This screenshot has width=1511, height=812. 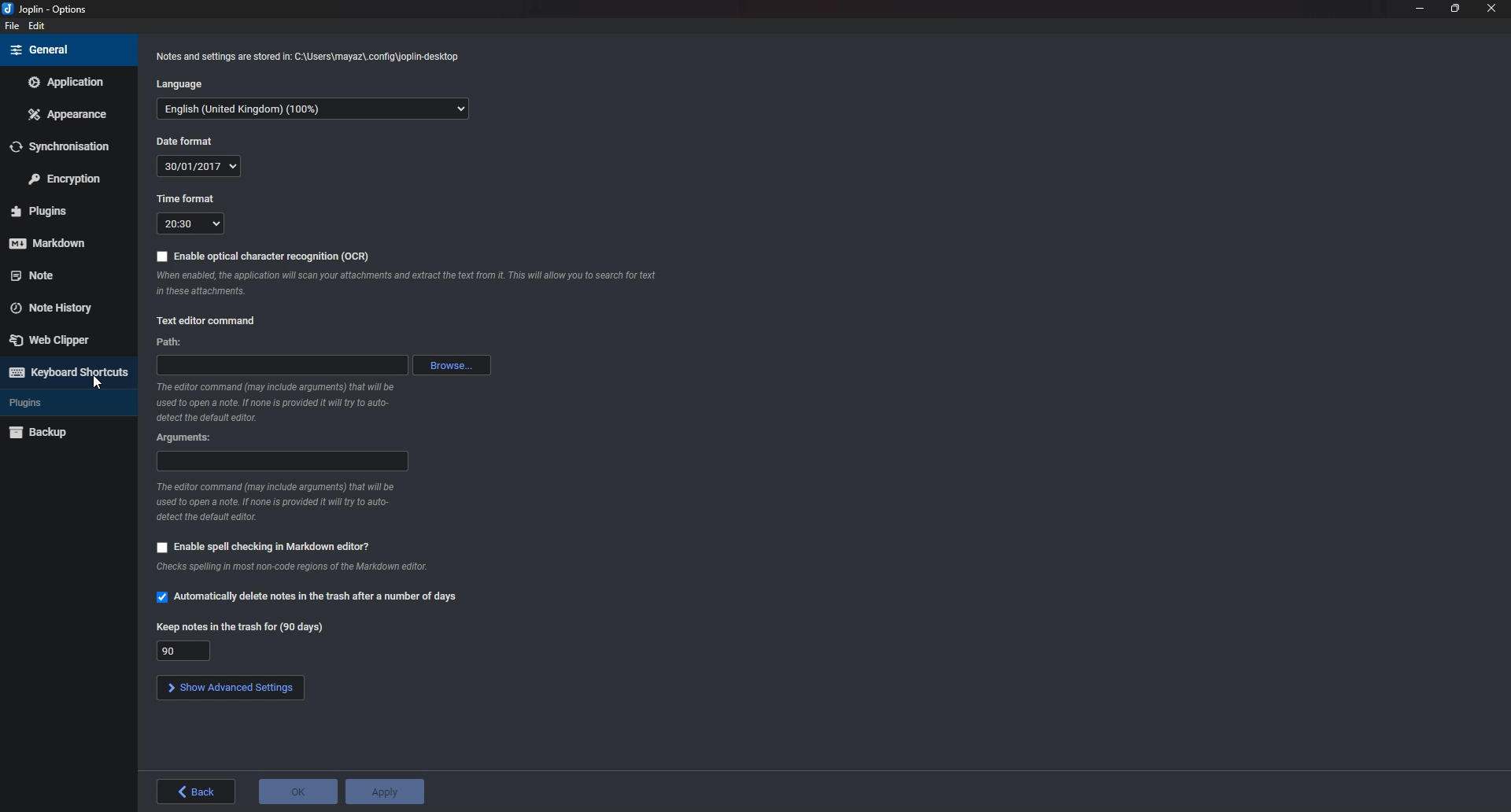 What do you see at coordinates (69, 113) in the screenshot?
I see `Appearance` at bounding box center [69, 113].